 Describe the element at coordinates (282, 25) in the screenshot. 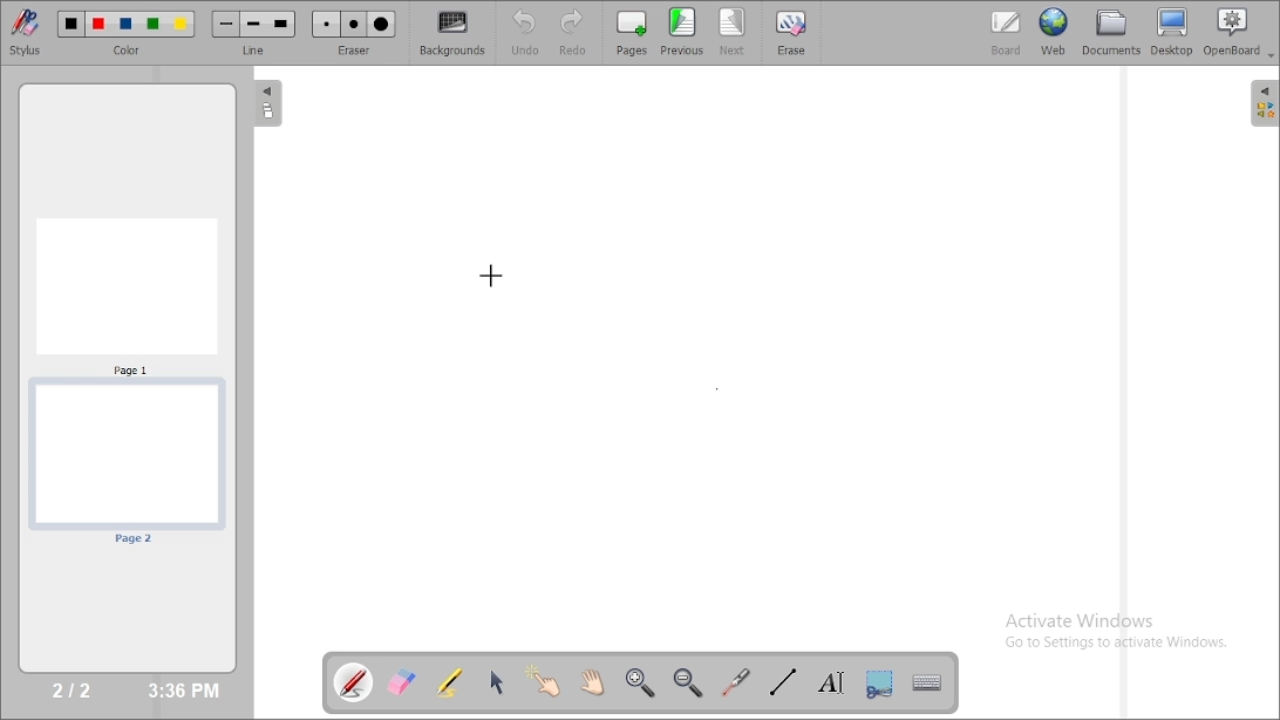

I see `Large line` at that location.